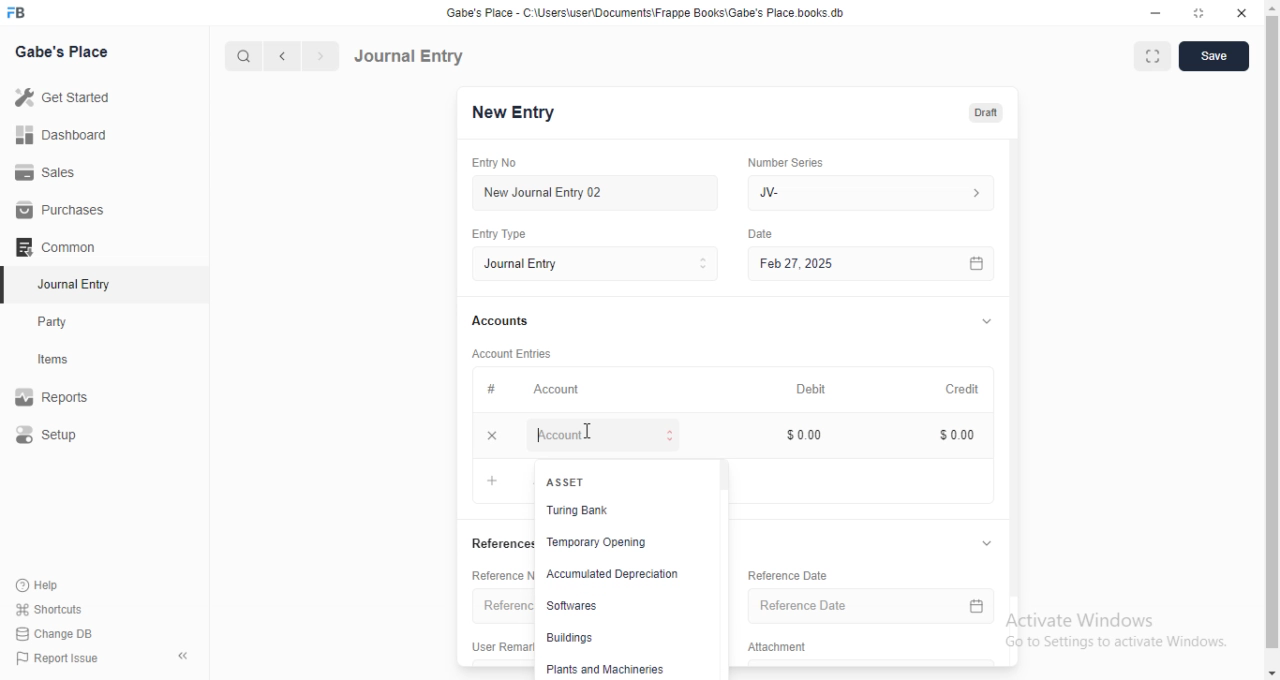 This screenshot has height=680, width=1280. I want to click on Setup, so click(49, 434).